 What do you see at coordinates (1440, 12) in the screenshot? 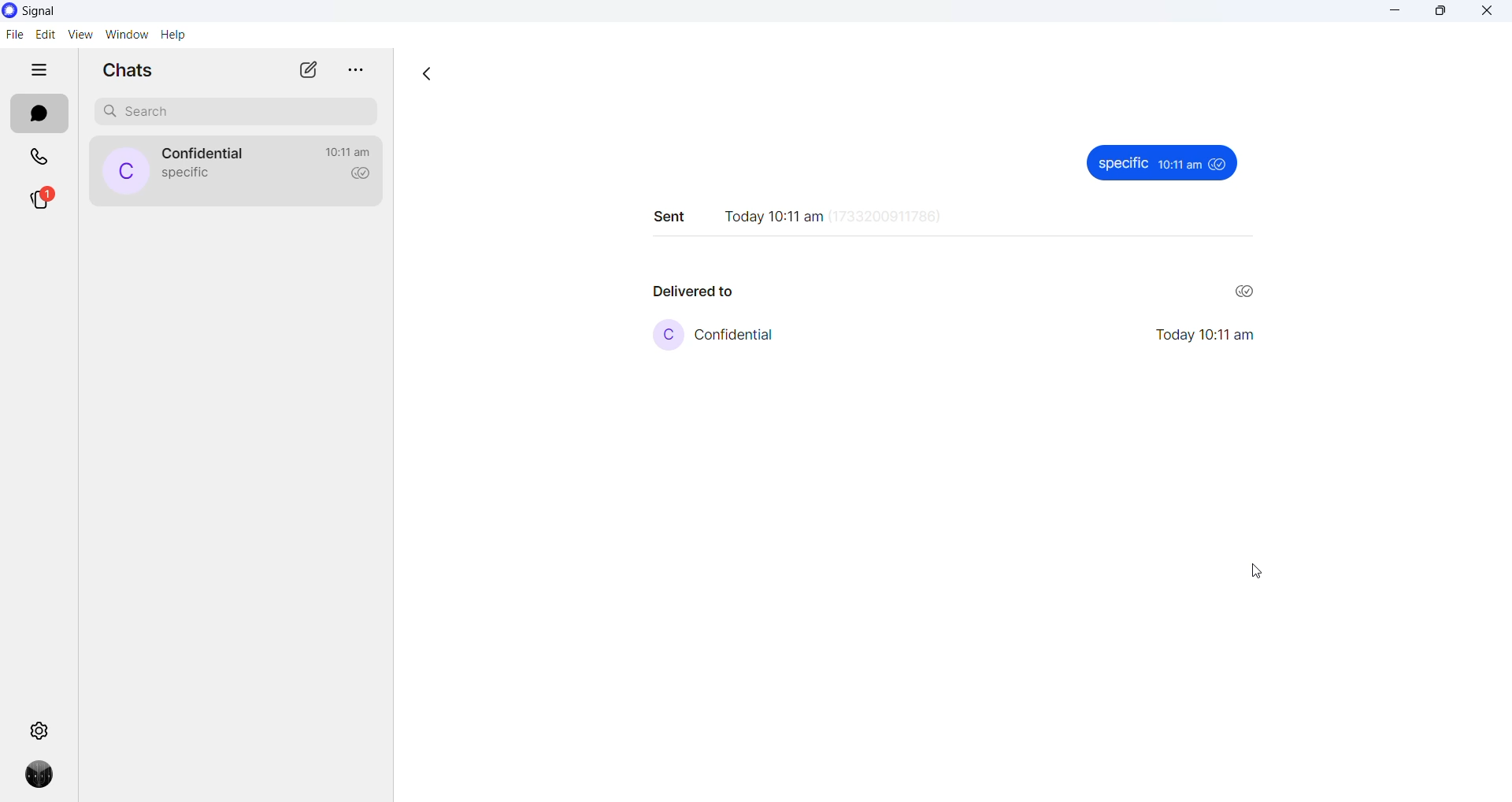
I see `maximize` at bounding box center [1440, 12].